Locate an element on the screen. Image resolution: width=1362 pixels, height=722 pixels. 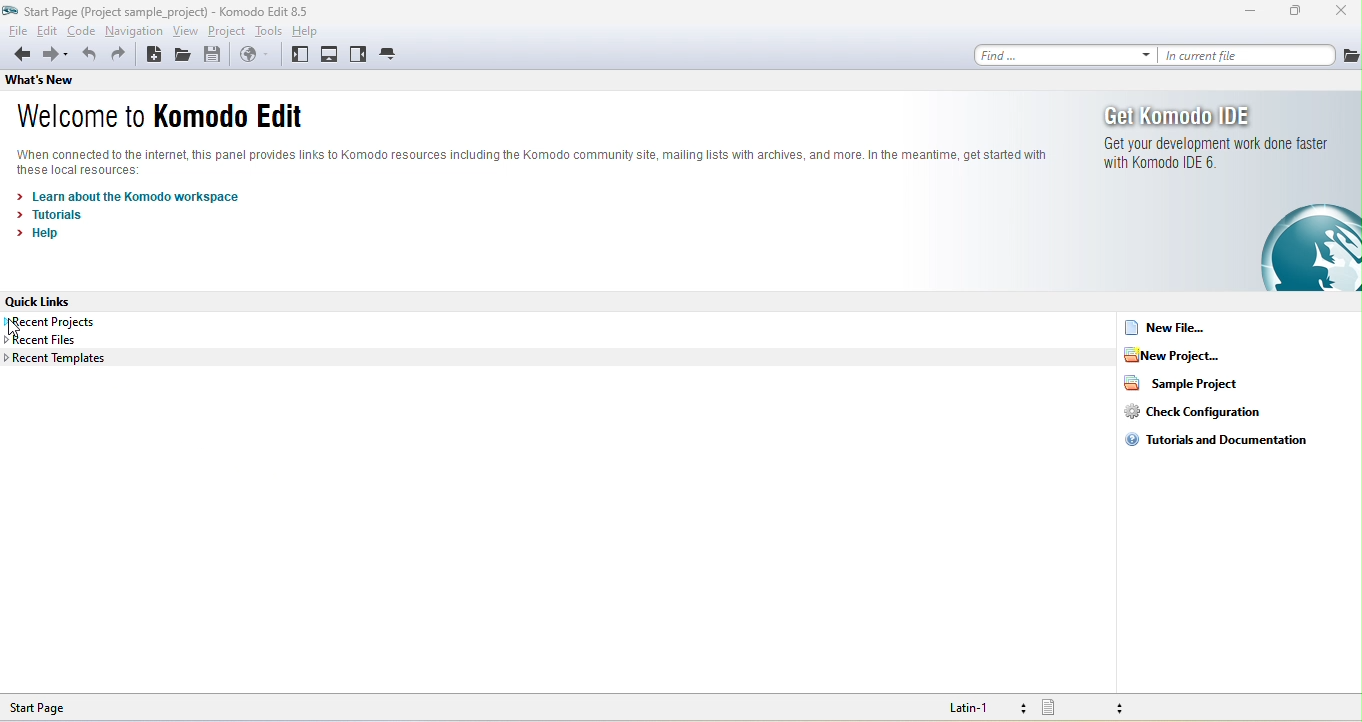
help is located at coordinates (35, 237).